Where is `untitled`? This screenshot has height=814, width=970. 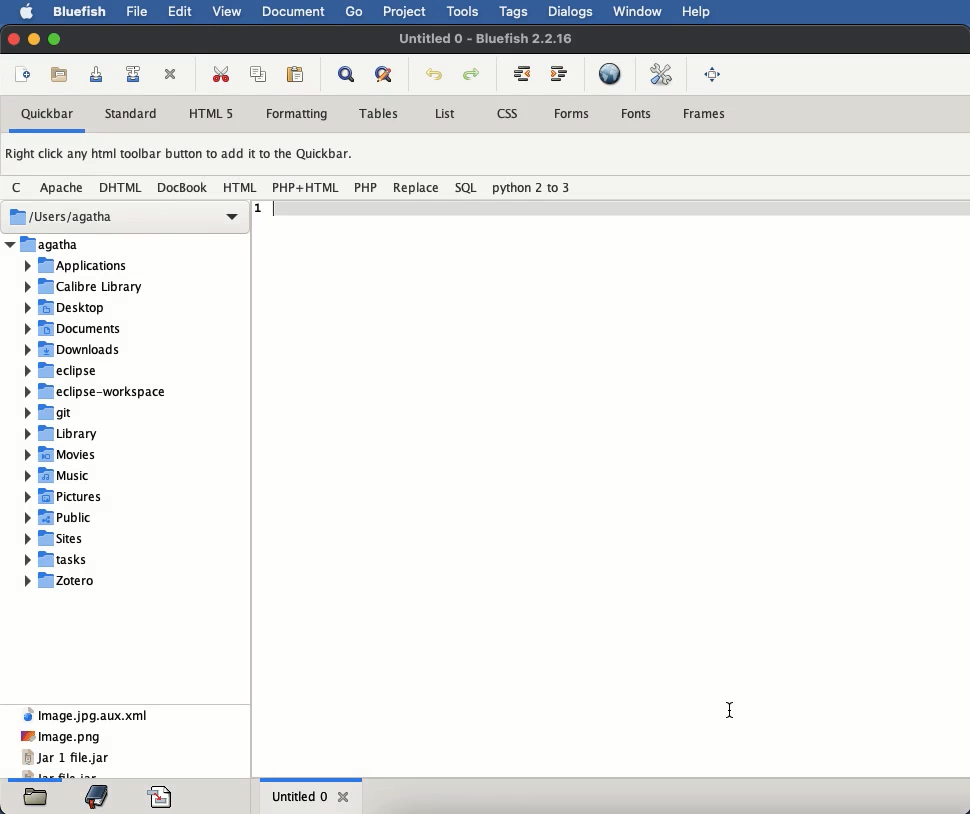 untitled is located at coordinates (299, 795).